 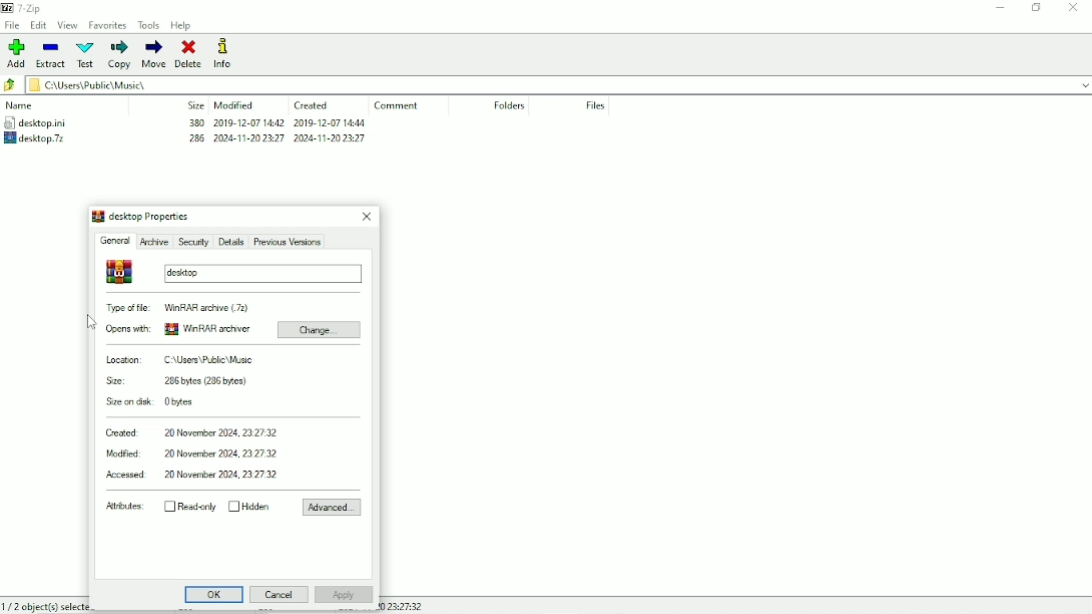 I want to click on modified date & time, so click(x=248, y=123).